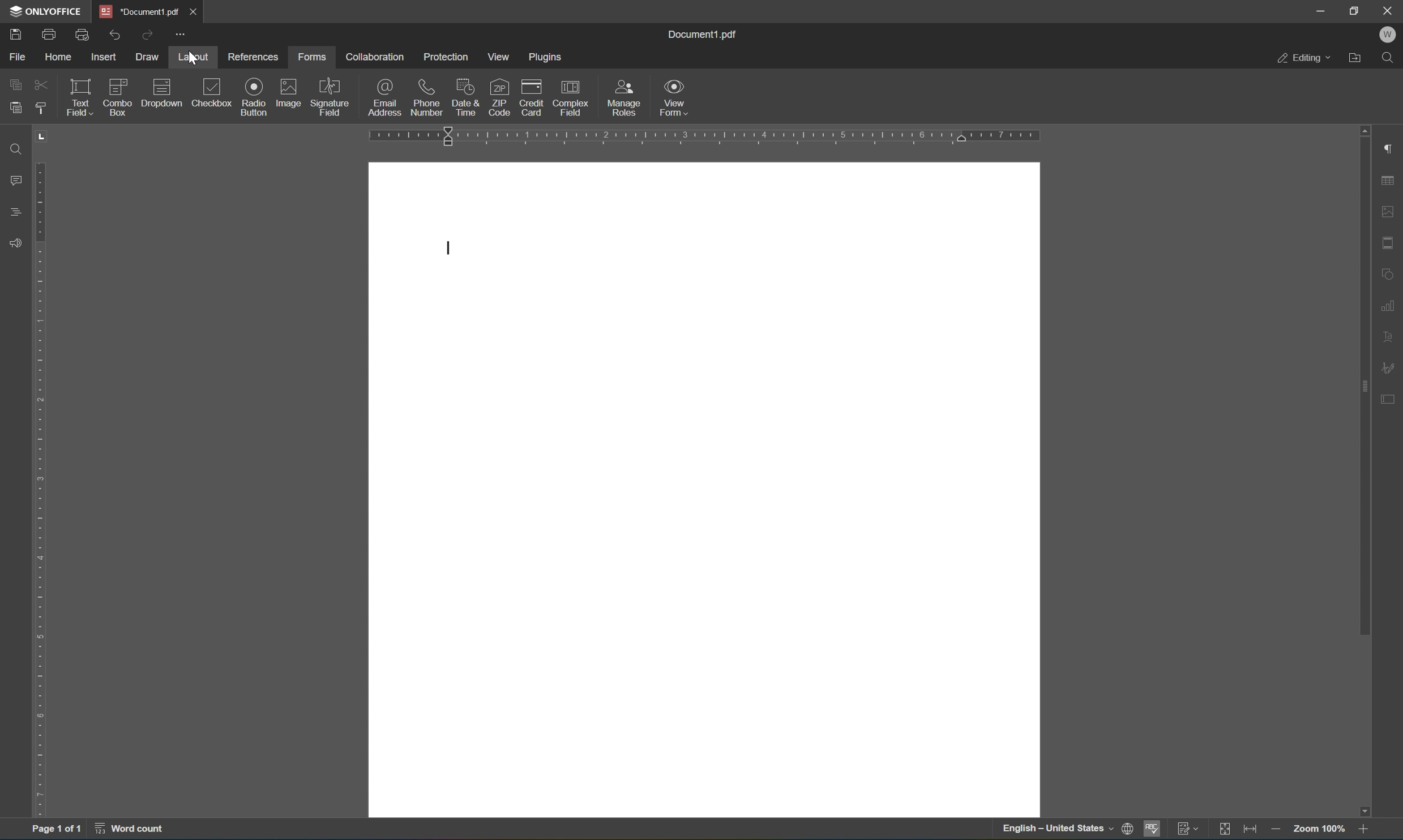 The height and width of the screenshot is (840, 1403). Describe the element at coordinates (1391, 335) in the screenshot. I see `text art settings` at that location.